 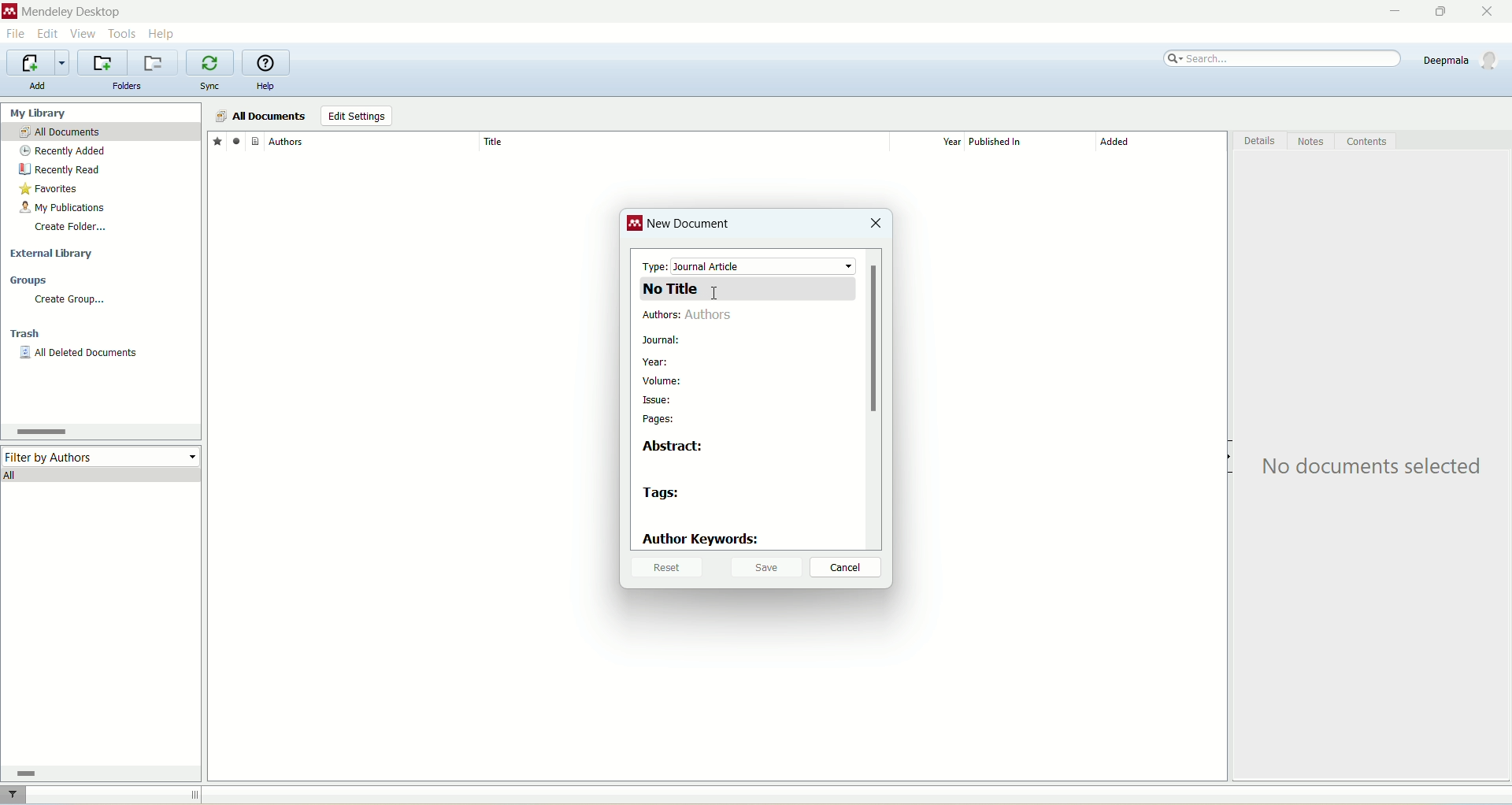 I want to click on details, so click(x=1261, y=143).